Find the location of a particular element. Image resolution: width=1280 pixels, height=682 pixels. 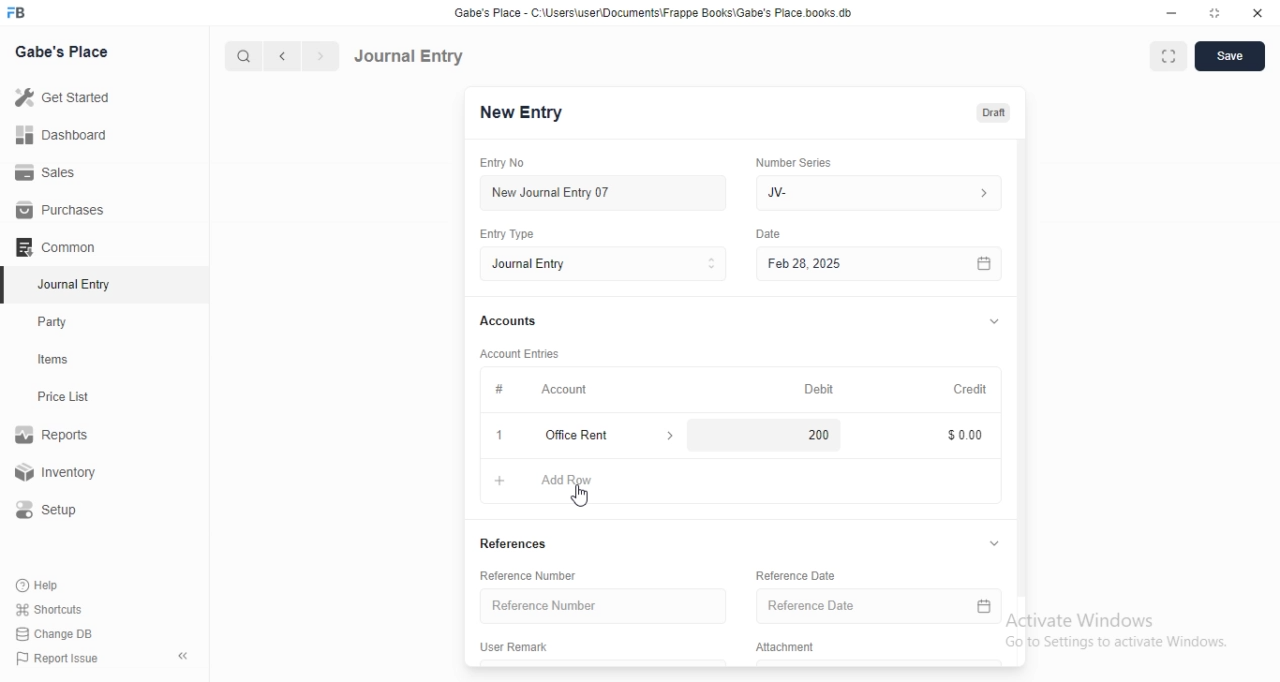

cursor is located at coordinates (581, 497).